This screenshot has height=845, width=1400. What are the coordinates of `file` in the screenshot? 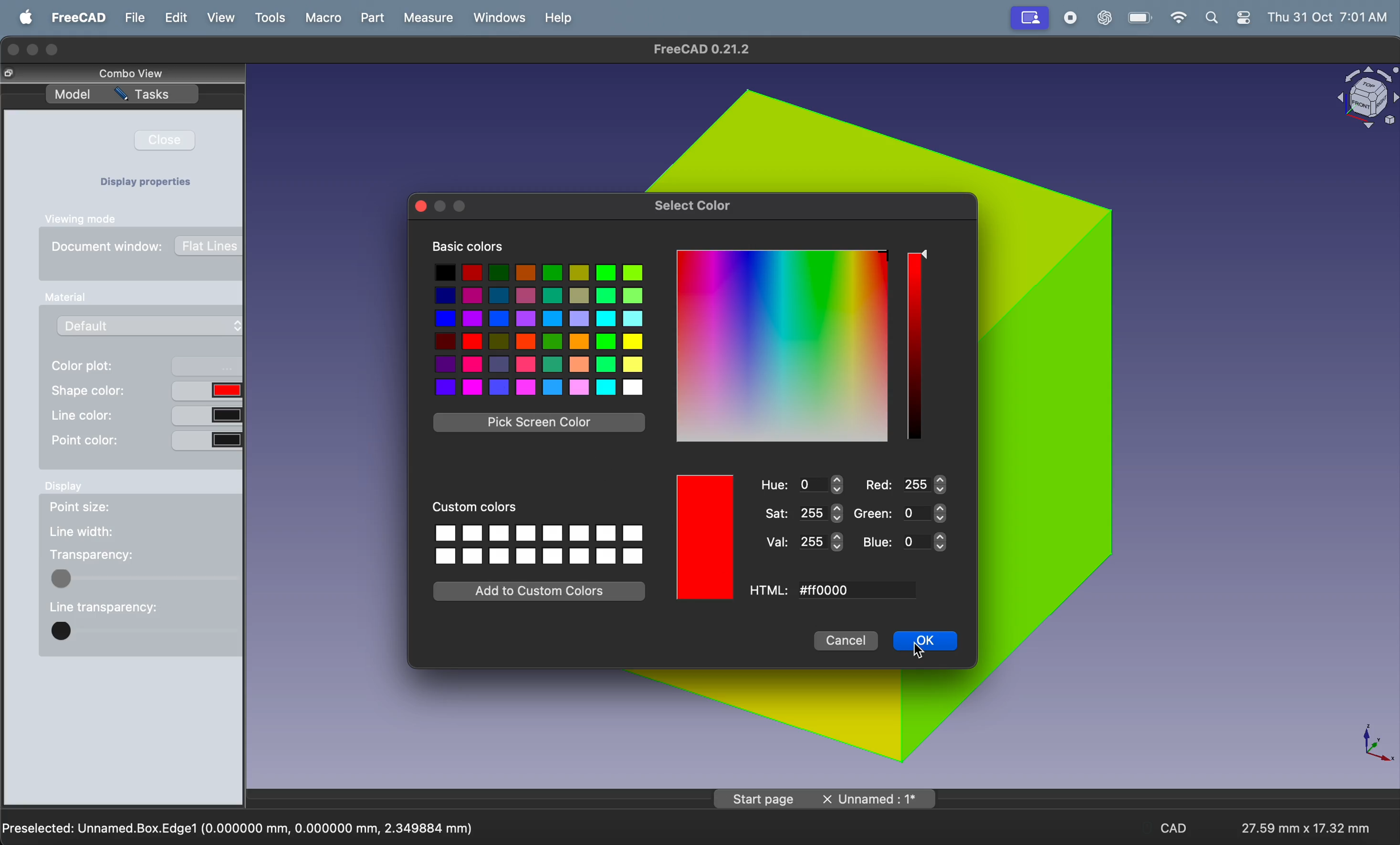 It's located at (134, 17).